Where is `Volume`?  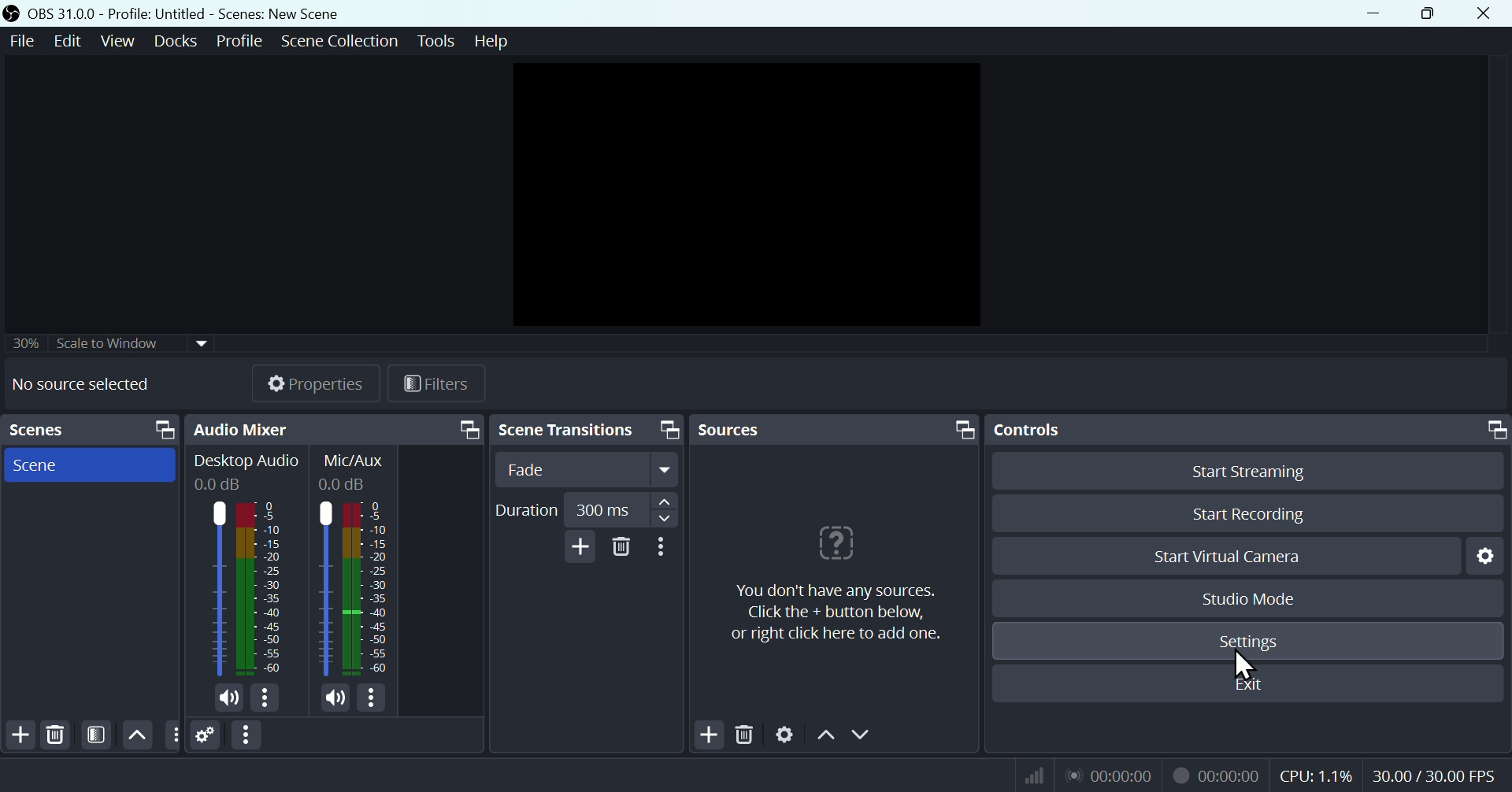 Volume is located at coordinates (228, 697).